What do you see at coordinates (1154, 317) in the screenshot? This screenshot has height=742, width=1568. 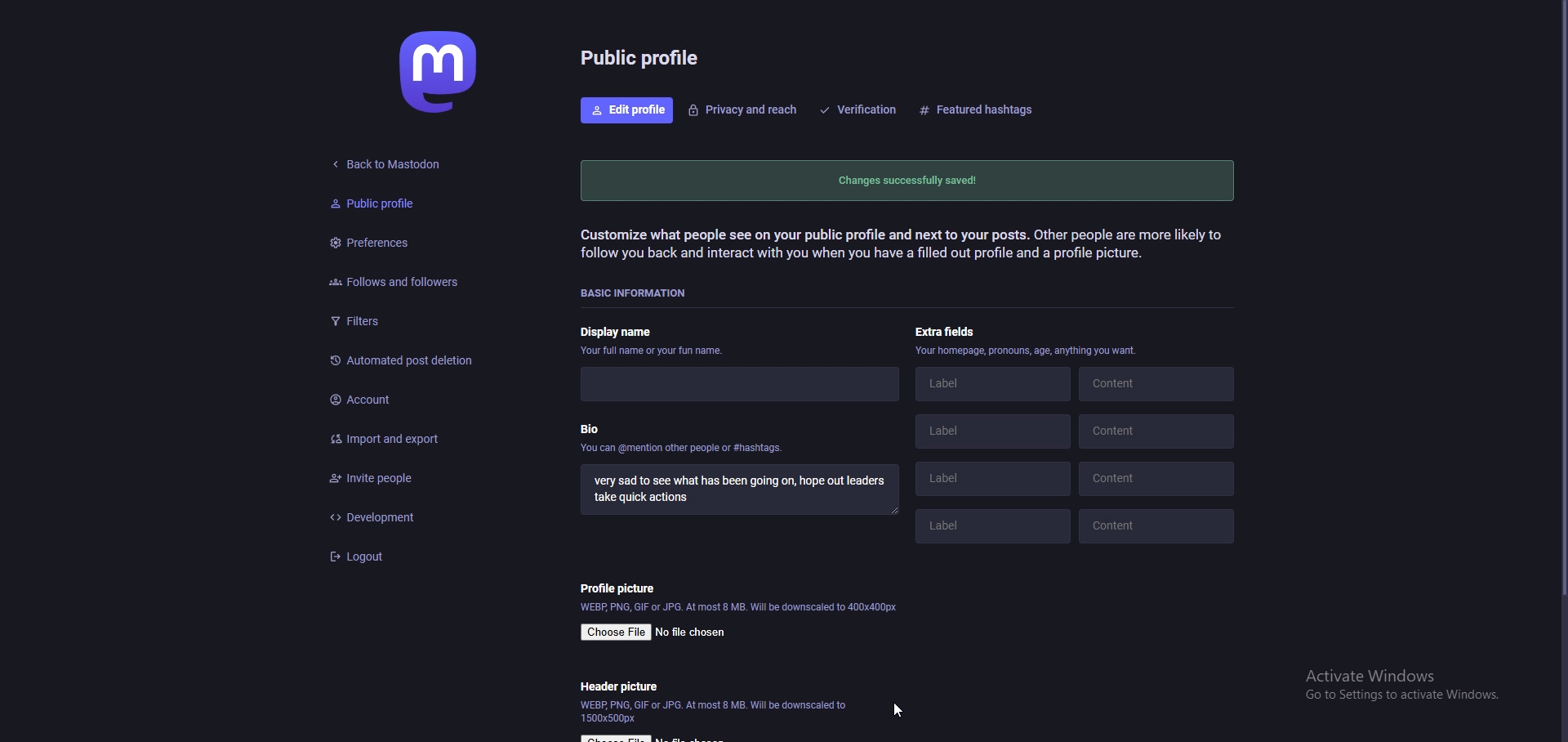 I see `content` at bounding box center [1154, 317].